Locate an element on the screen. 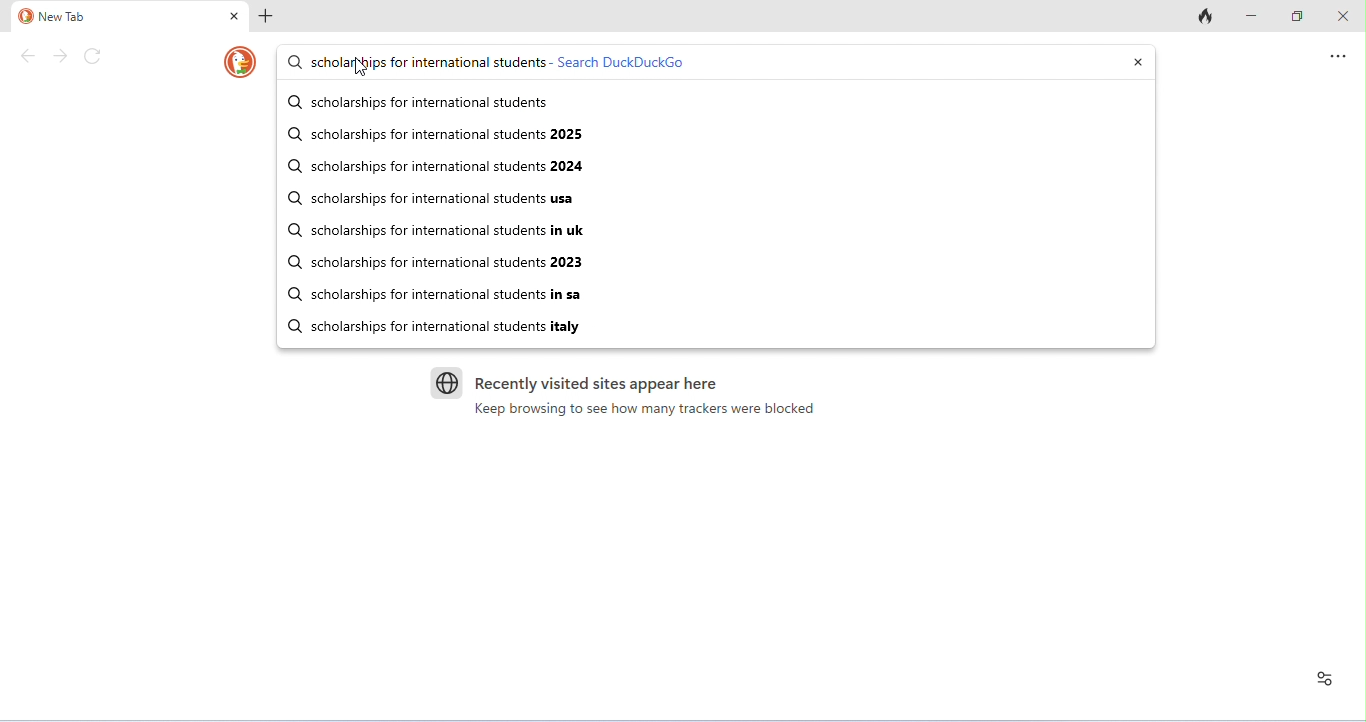 Image resolution: width=1366 pixels, height=722 pixels. search icon is located at coordinates (293, 229).